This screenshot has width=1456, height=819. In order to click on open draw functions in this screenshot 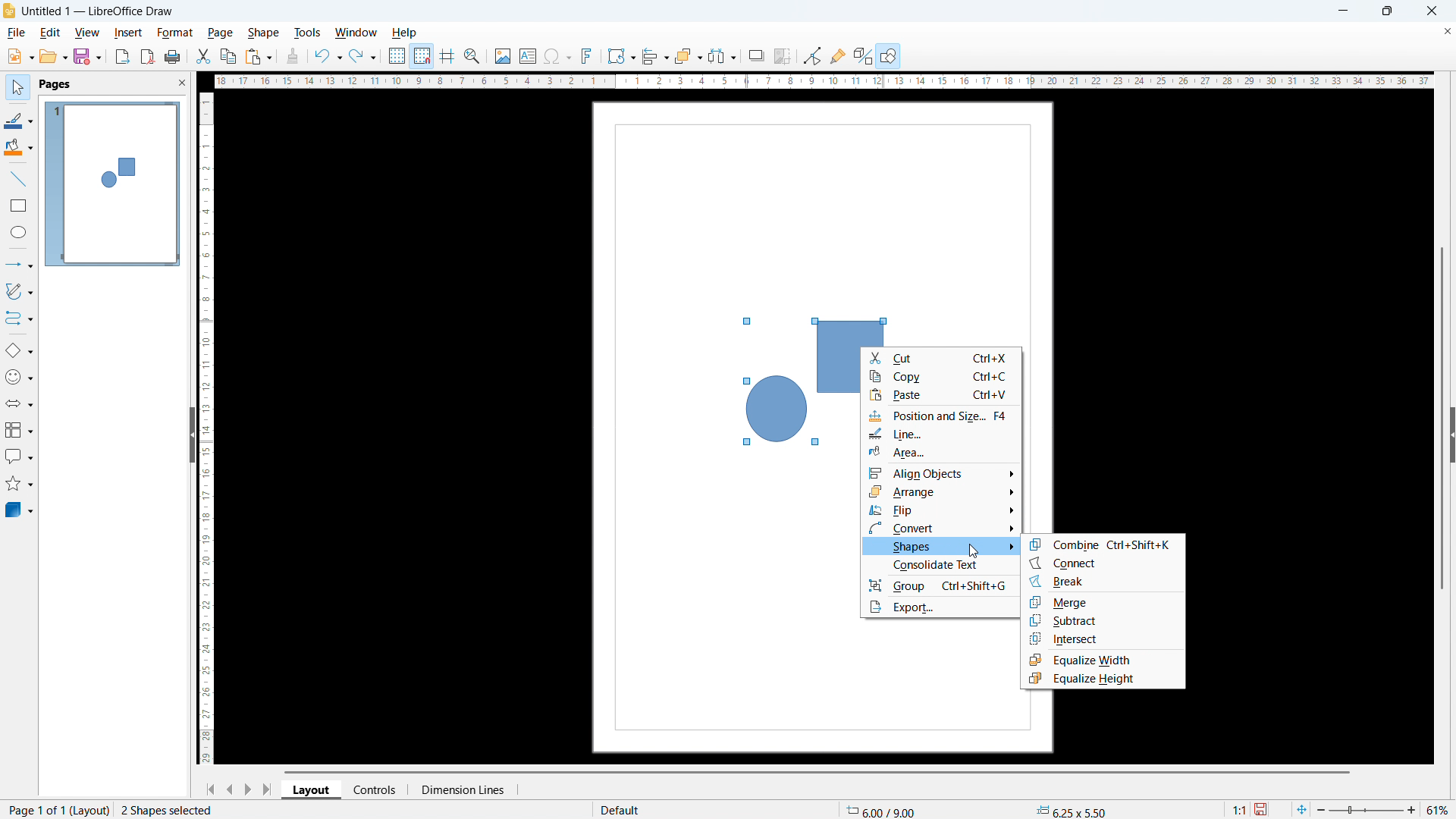, I will do `click(891, 55)`.